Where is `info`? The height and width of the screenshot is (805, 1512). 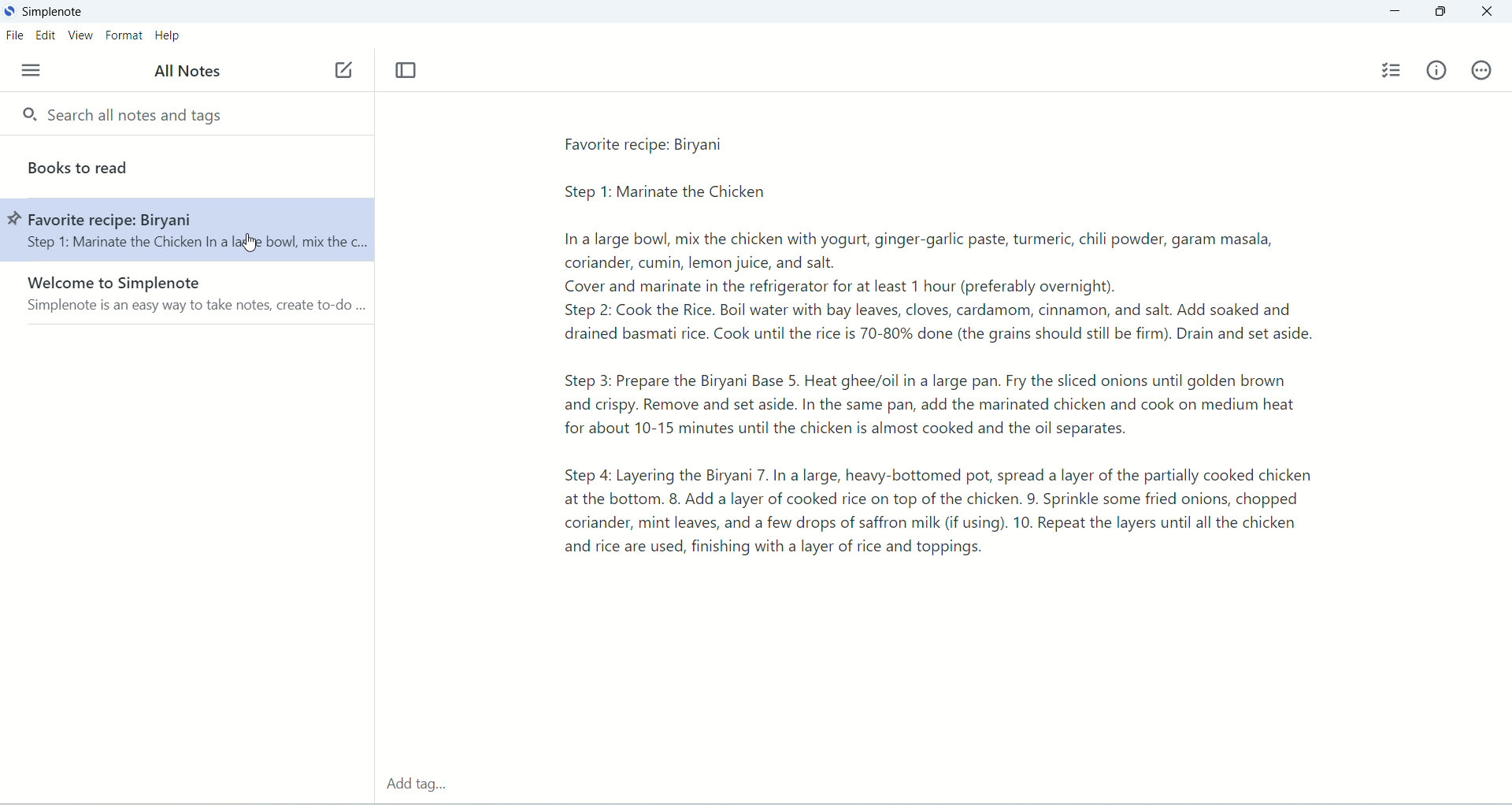 info is located at coordinates (1437, 69).